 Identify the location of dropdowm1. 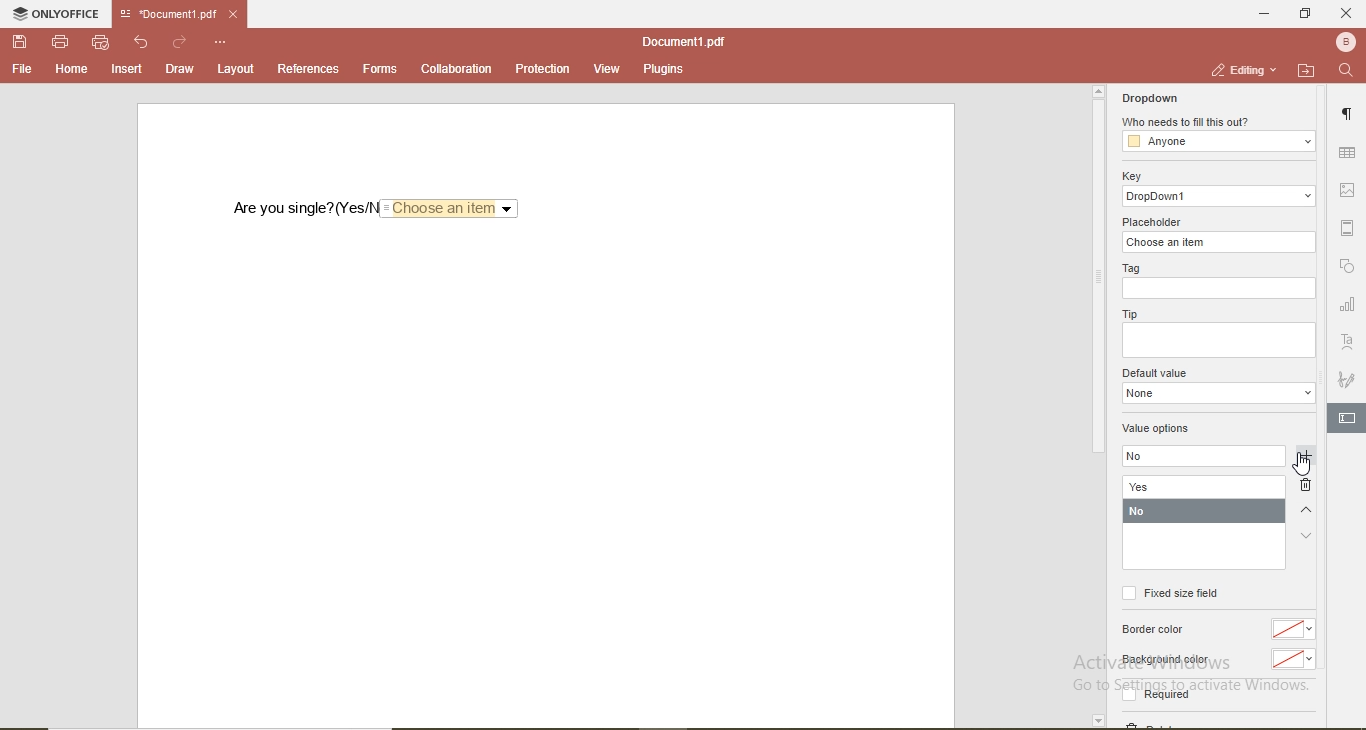
(1217, 196).